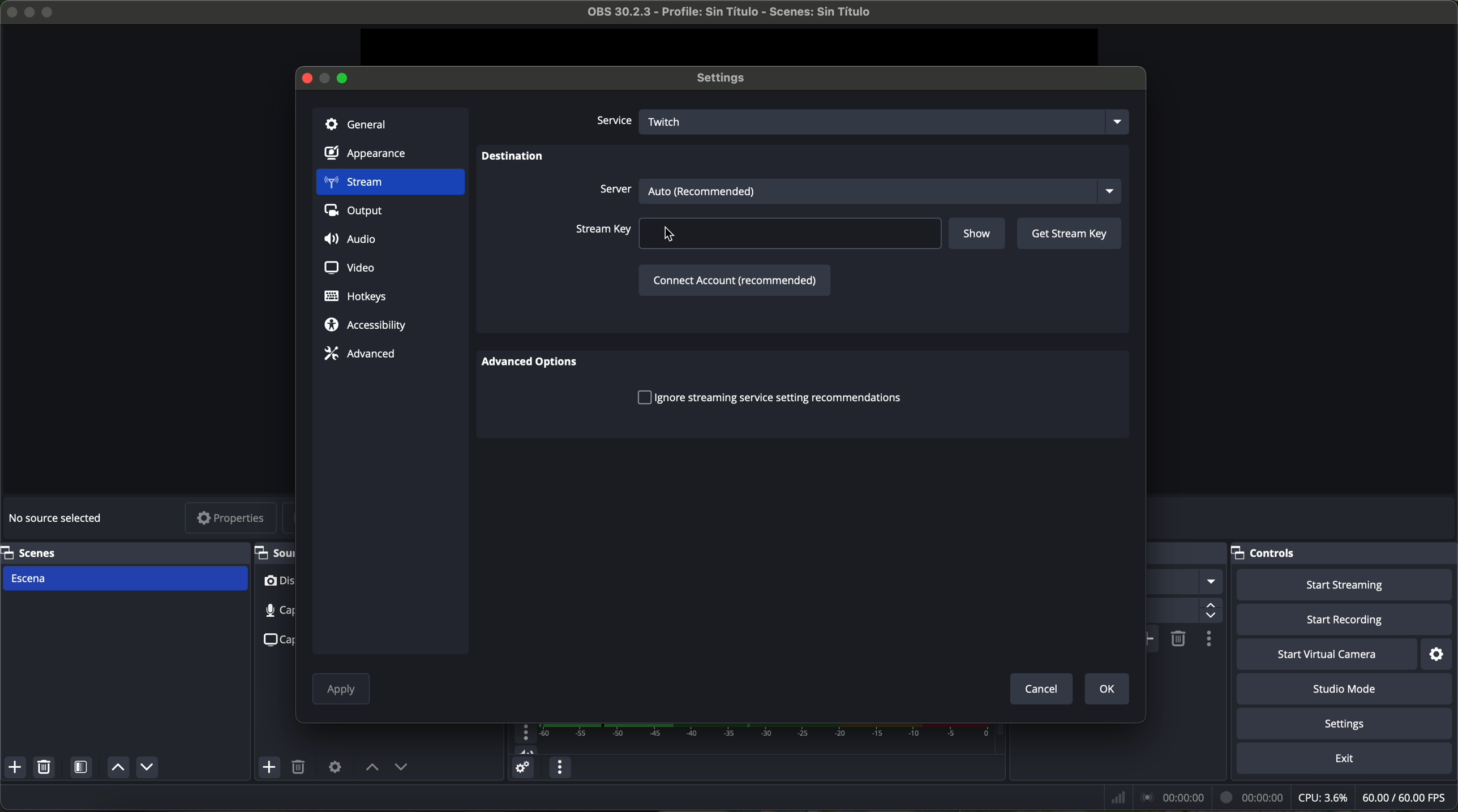 The height and width of the screenshot is (812, 1458). What do you see at coordinates (271, 611) in the screenshot?
I see `audio input capture` at bounding box center [271, 611].